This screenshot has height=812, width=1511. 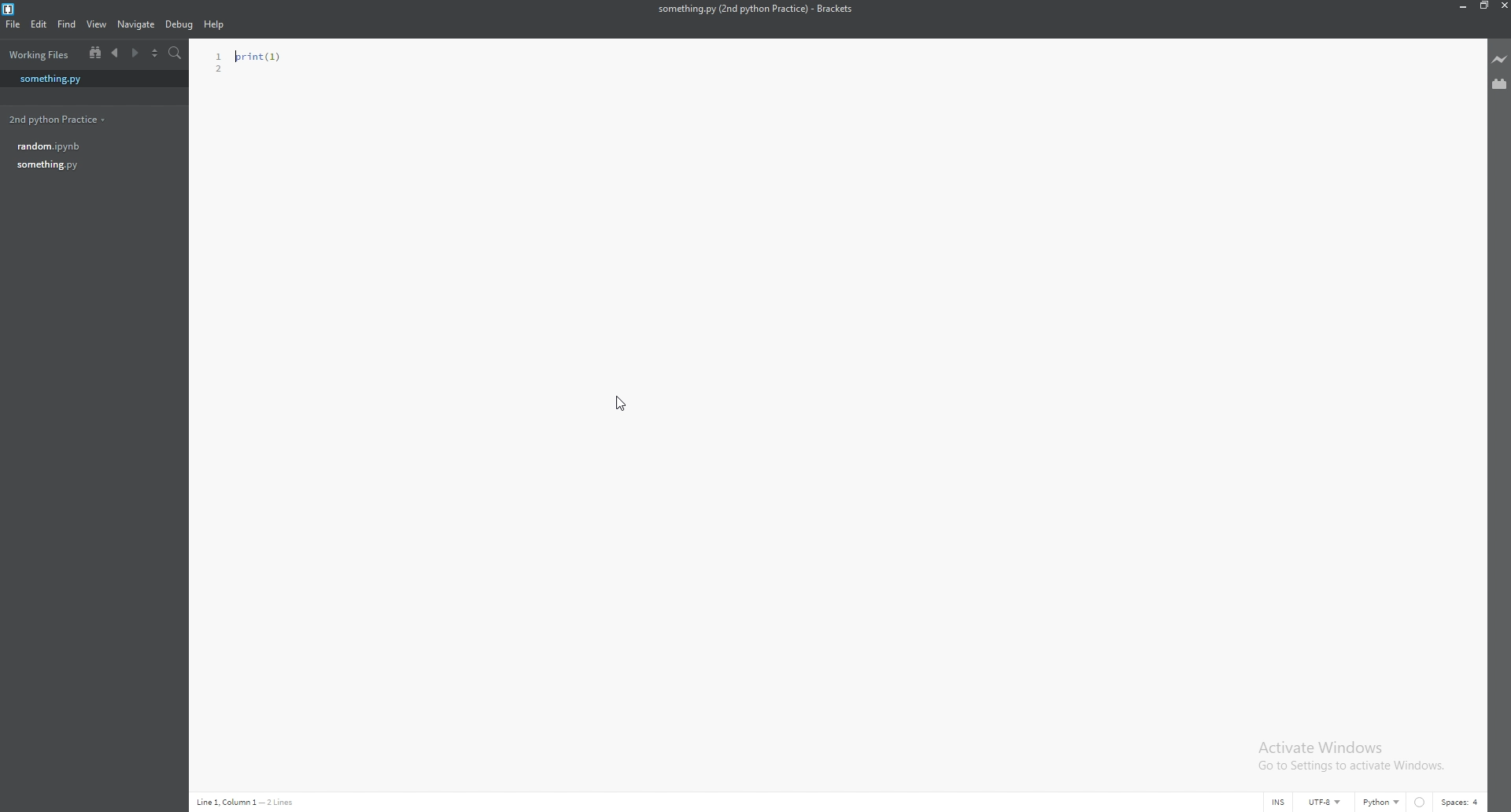 What do you see at coordinates (84, 164) in the screenshot?
I see `something.py` at bounding box center [84, 164].